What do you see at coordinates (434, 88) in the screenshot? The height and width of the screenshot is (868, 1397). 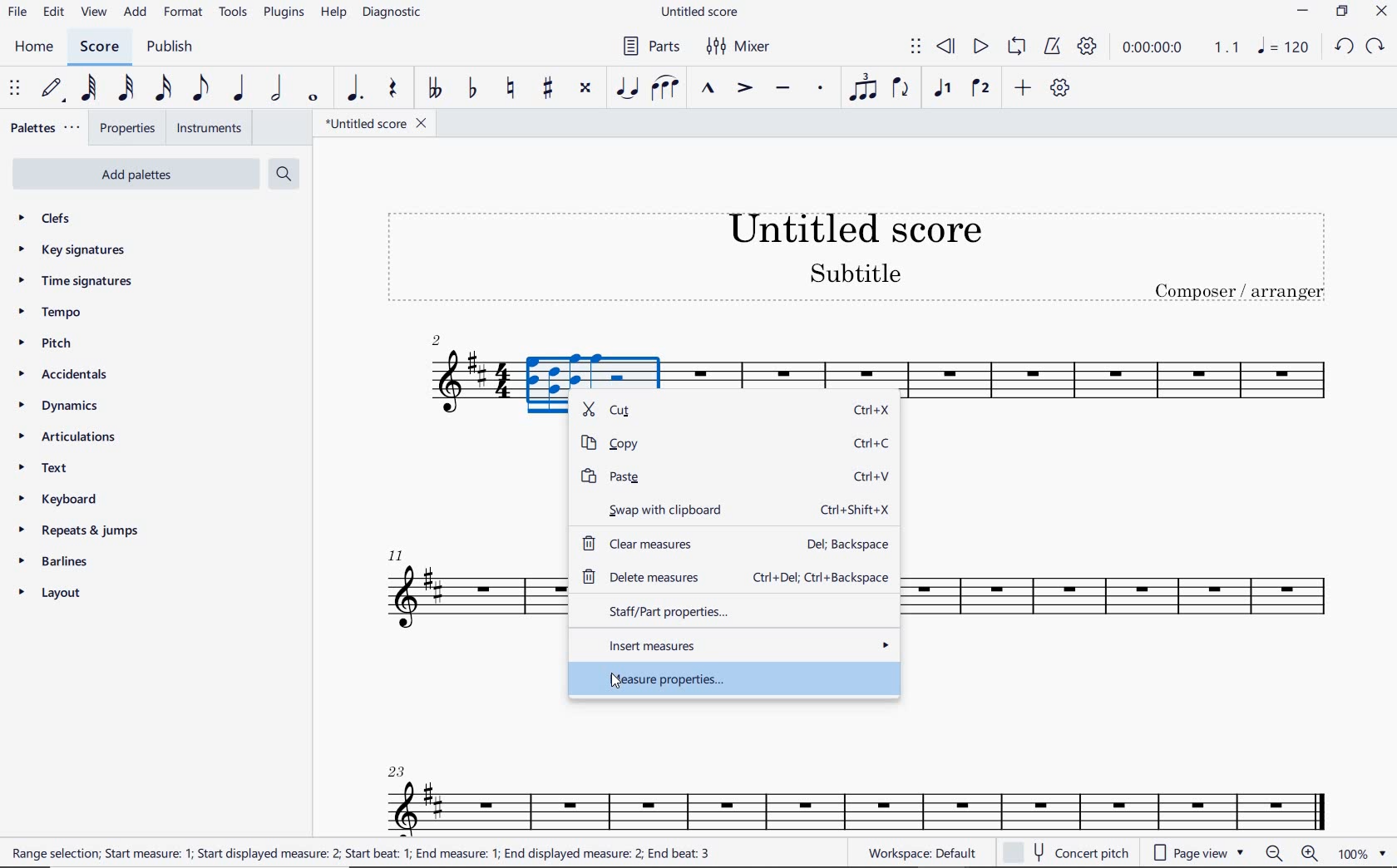 I see `TOGGLE-DOUBLE FLAT` at bounding box center [434, 88].